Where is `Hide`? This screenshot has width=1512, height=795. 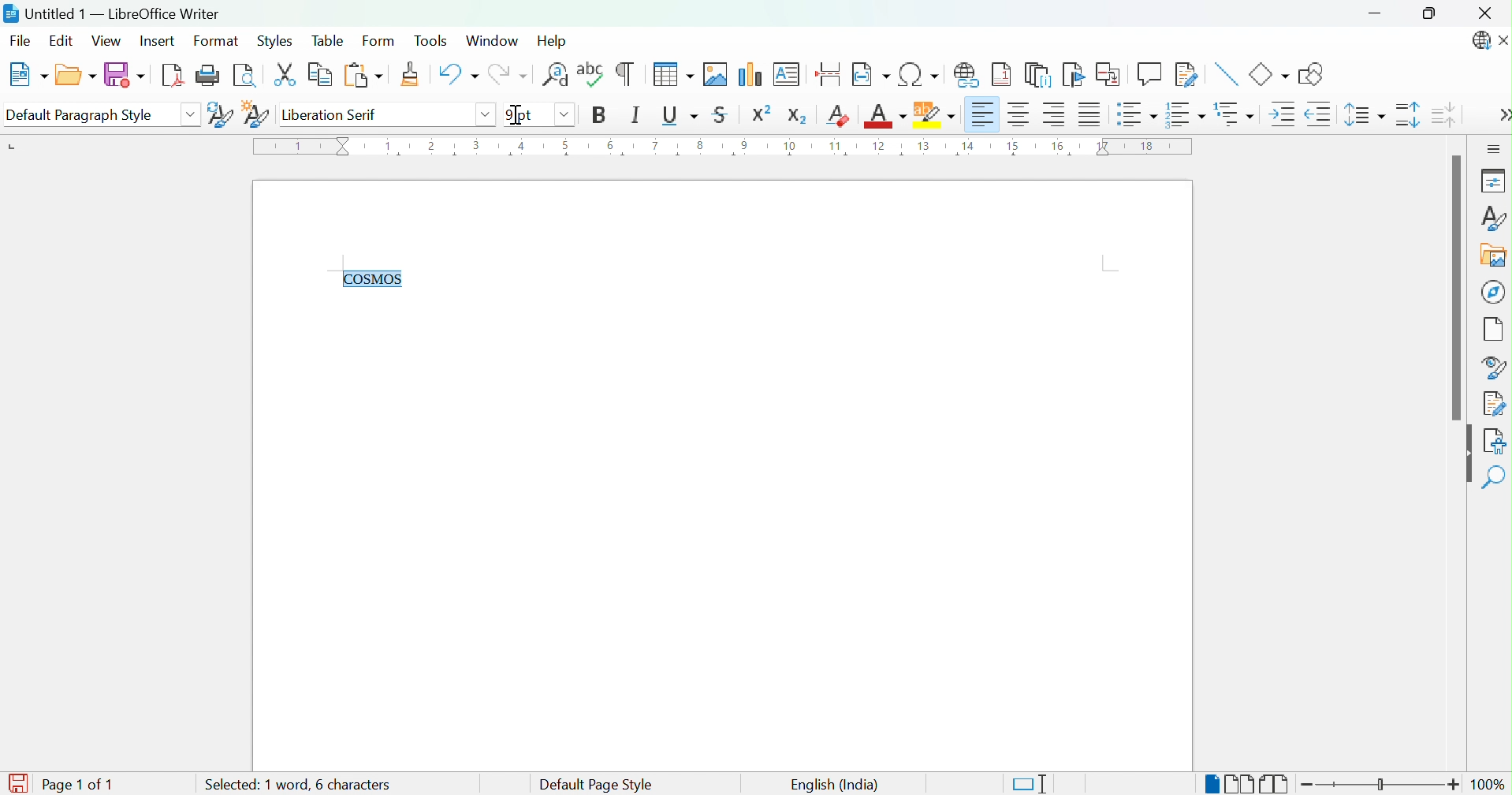 Hide is located at coordinates (1464, 456).